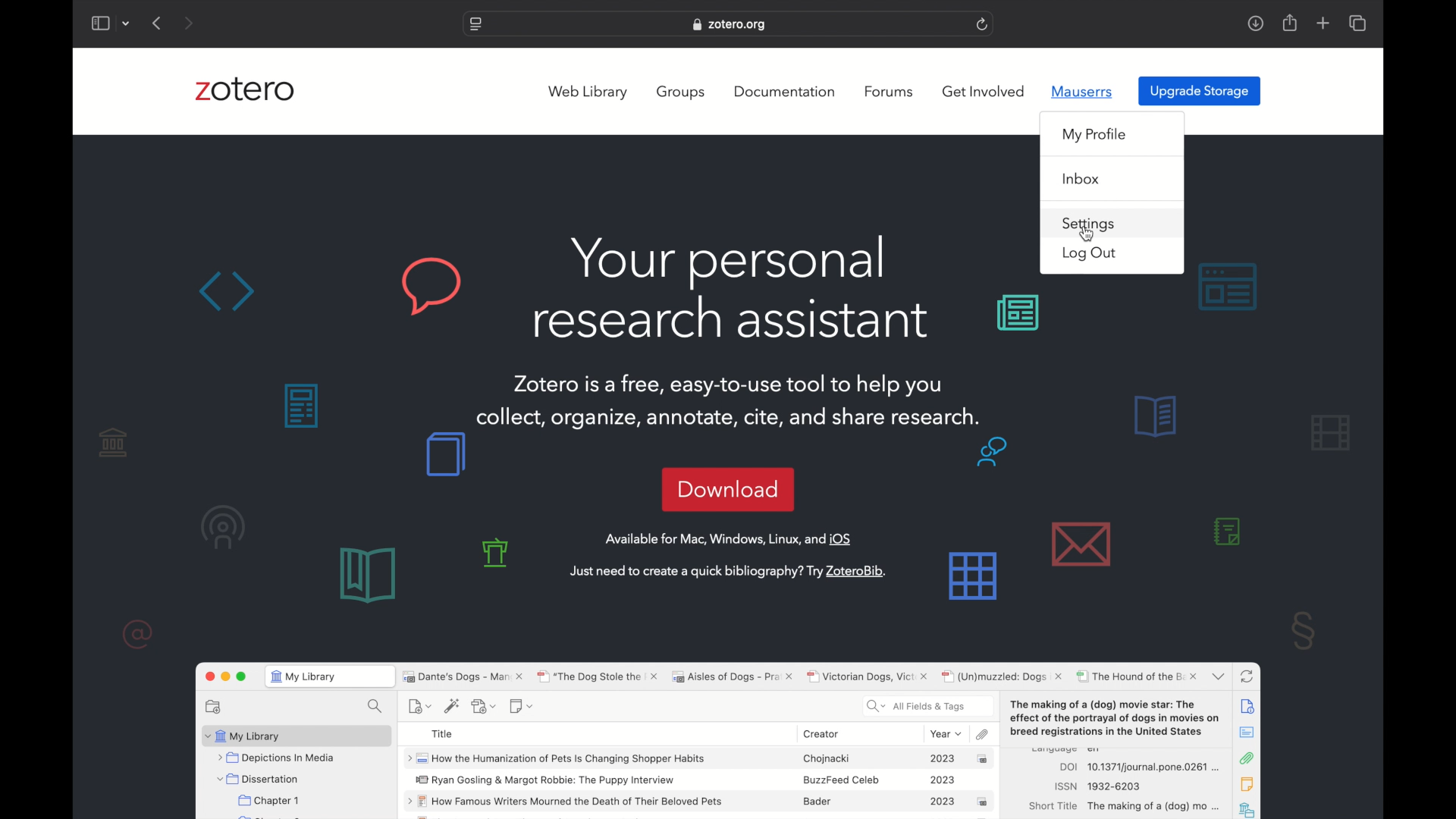 The image size is (1456, 819). What do you see at coordinates (303, 406) in the screenshot?
I see `background graphics` at bounding box center [303, 406].